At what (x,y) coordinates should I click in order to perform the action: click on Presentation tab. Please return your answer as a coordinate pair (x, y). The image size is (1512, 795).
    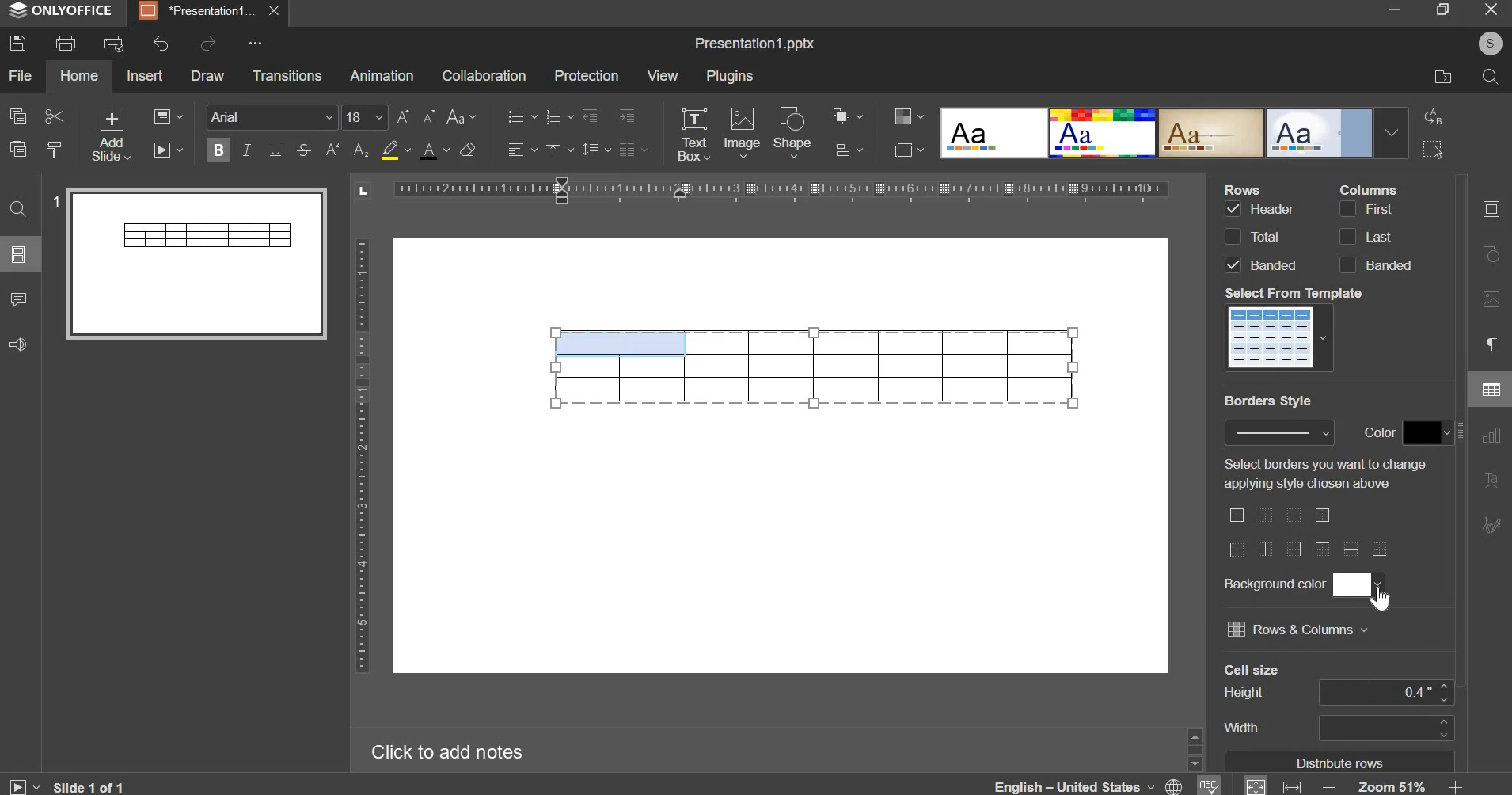
    Looking at the image, I should click on (207, 11).